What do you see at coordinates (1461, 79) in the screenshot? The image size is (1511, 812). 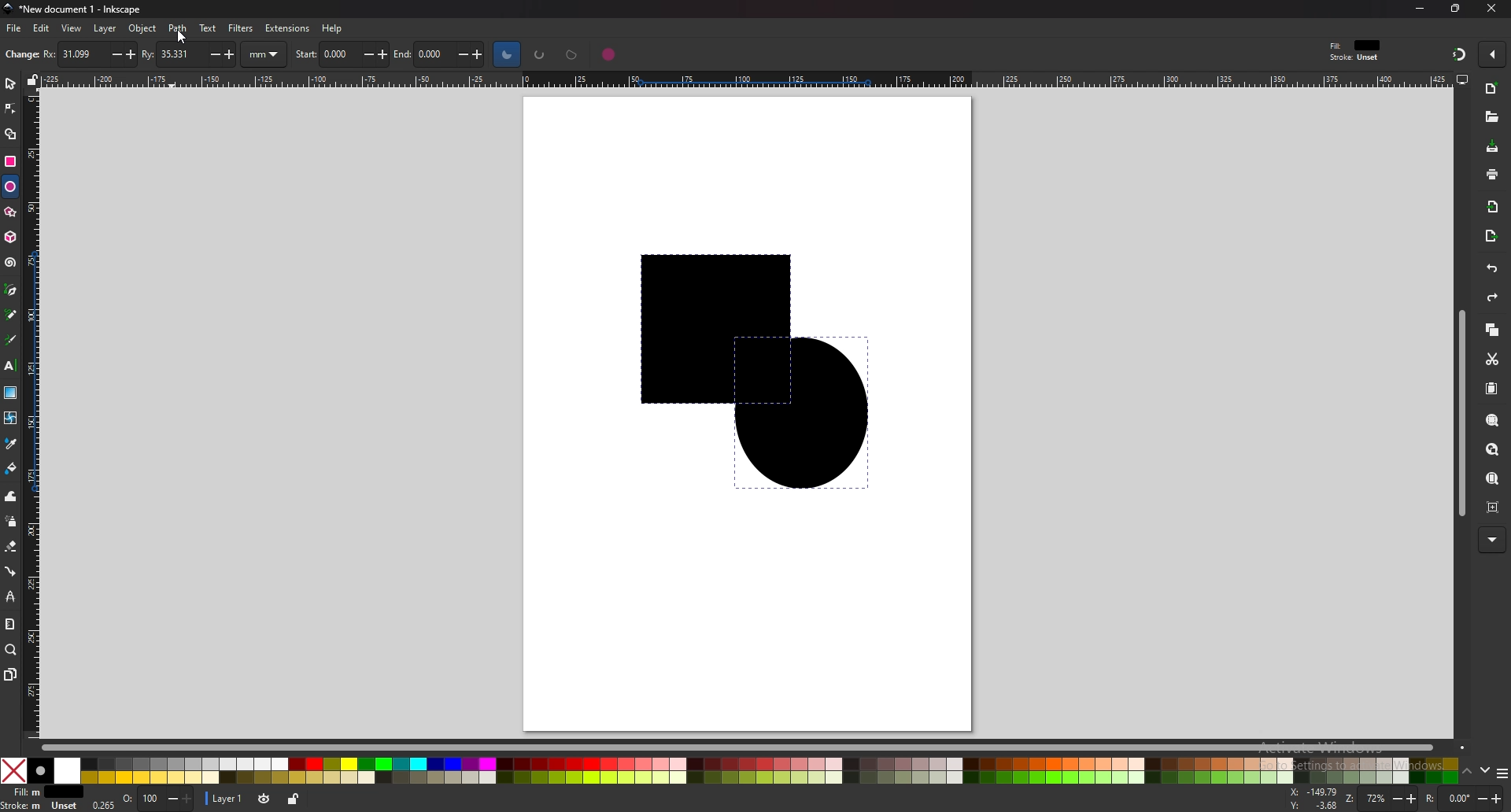 I see `display options` at bounding box center [1461, 79].